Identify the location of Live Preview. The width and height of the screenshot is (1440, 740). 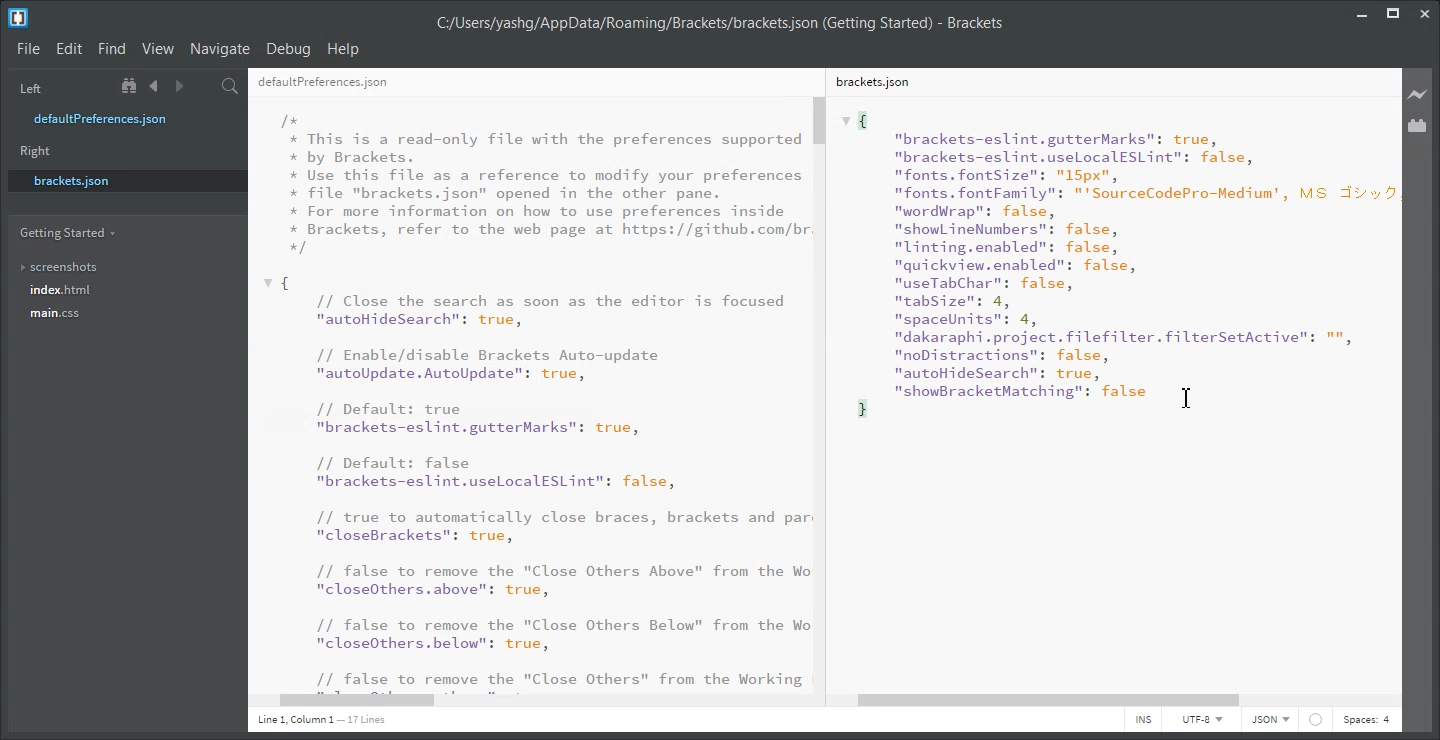
(1418, 93).